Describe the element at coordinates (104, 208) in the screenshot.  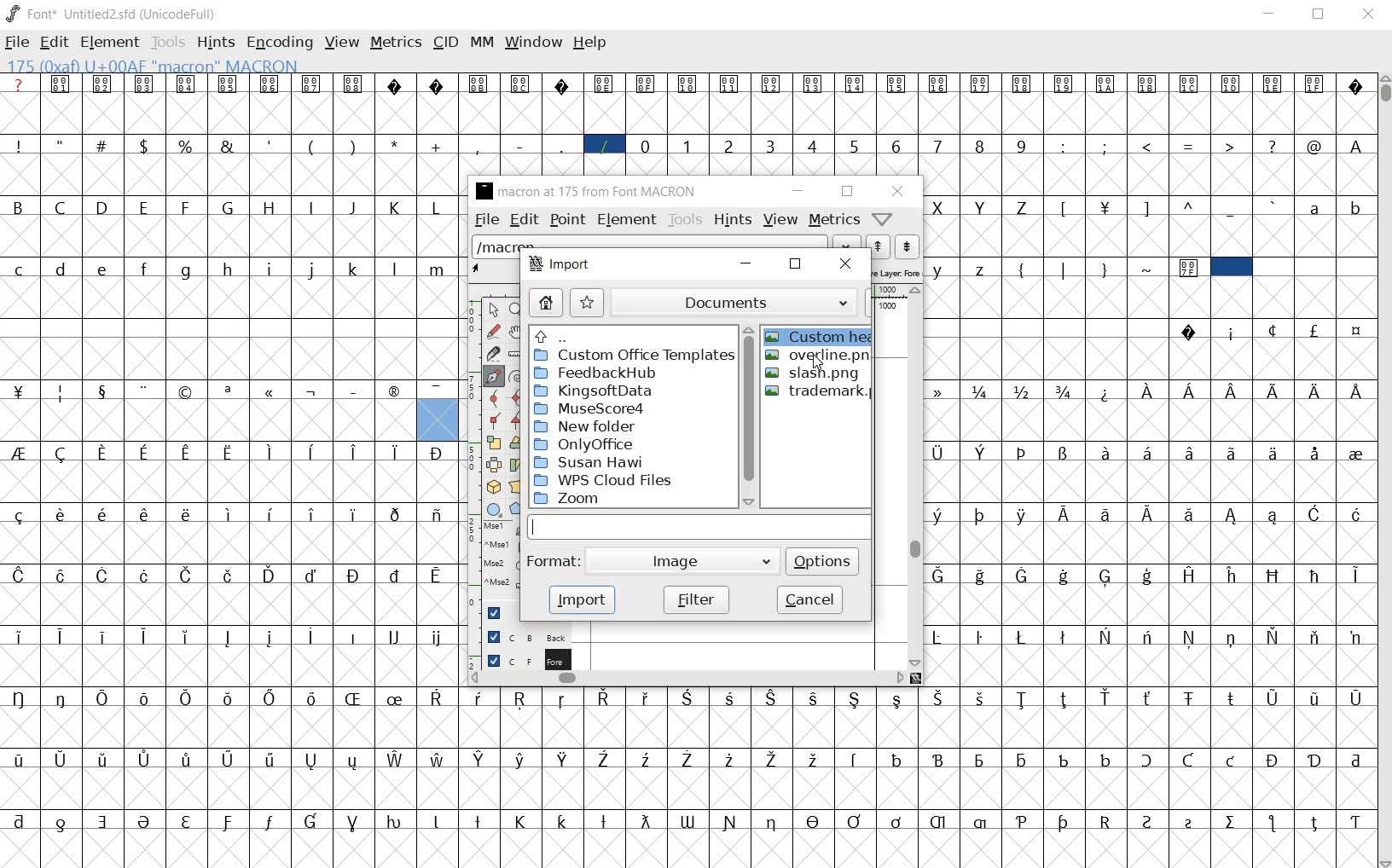
I see `D` at that location.